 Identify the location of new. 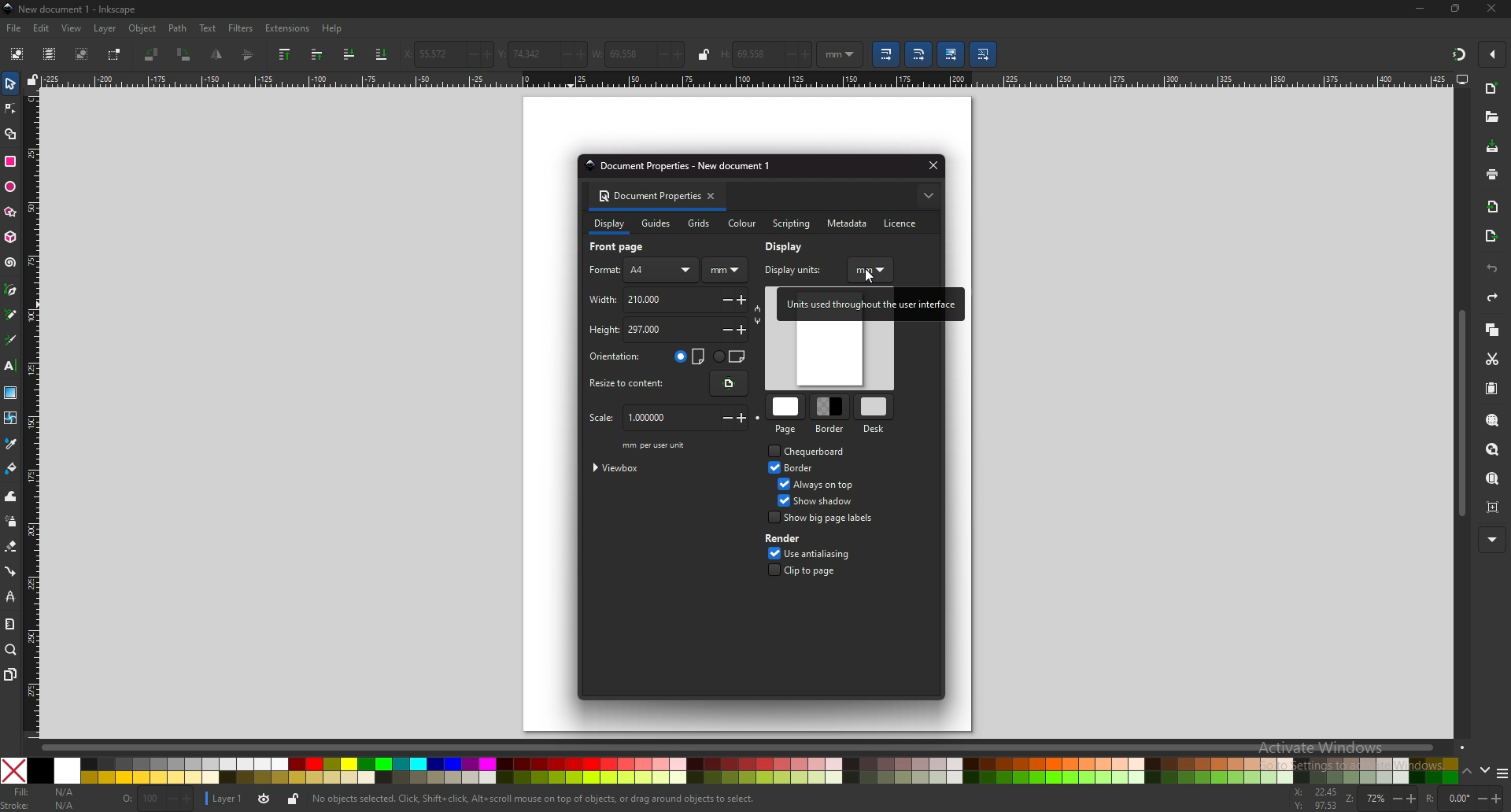
(1492, 89).